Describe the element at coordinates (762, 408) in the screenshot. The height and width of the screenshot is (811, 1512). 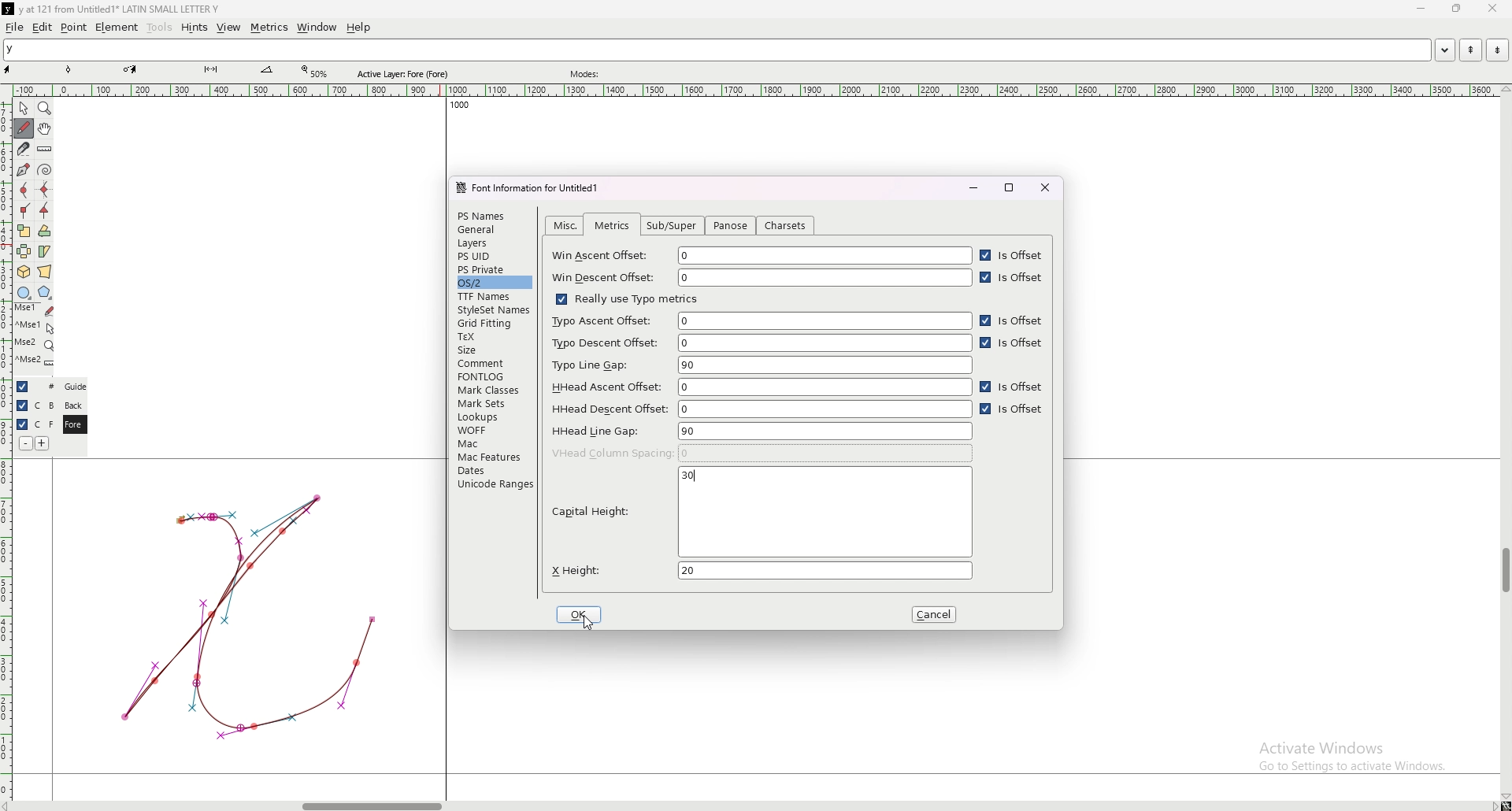
I see `hhead descent offset 0` at that location.